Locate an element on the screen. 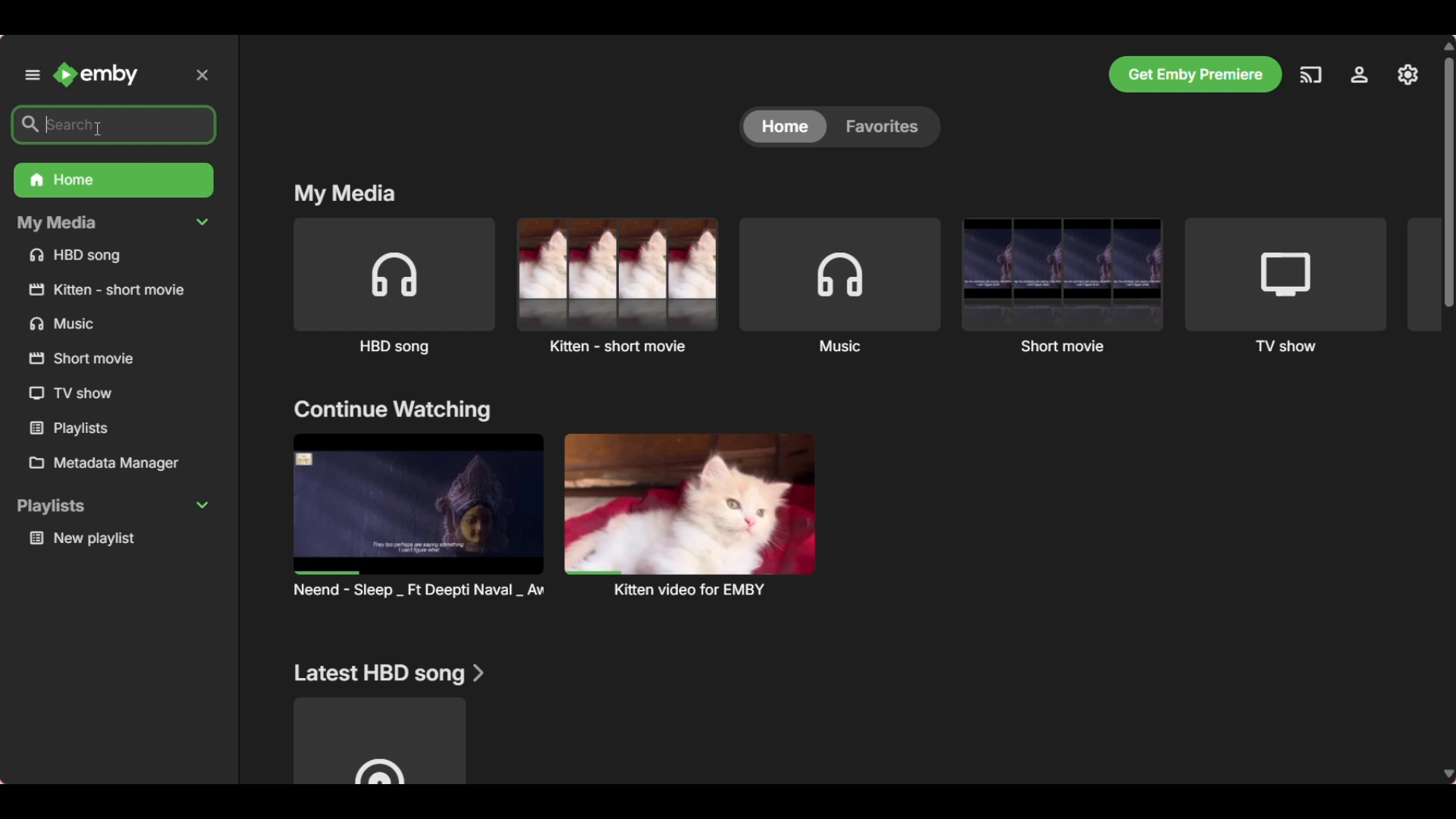  Metadata manager is located at coordinates (119, 463).